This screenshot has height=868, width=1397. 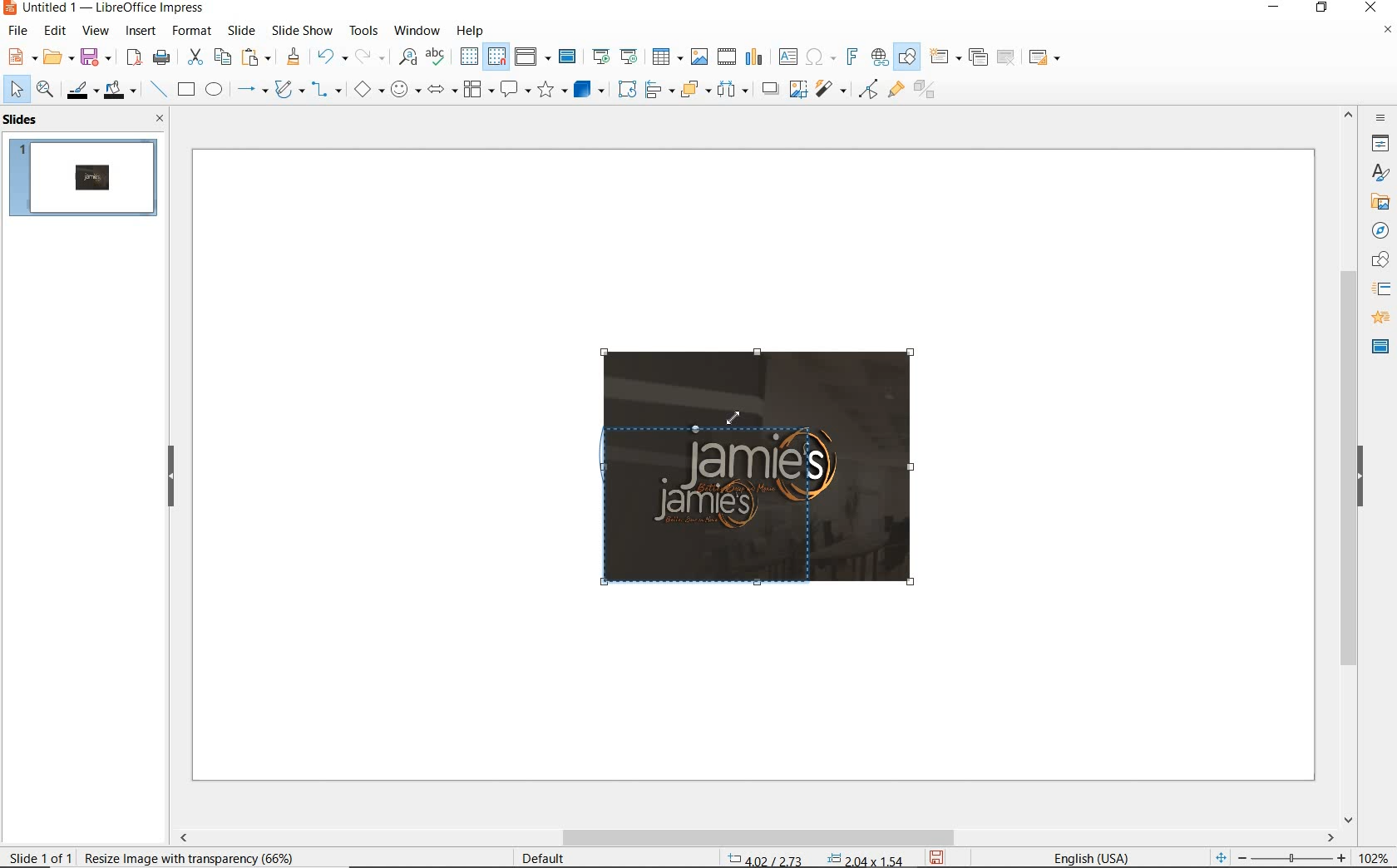 What do you see at coordinates (769, 87) in the screenshot?
I see `shadow` at bounding box center [769, 87].